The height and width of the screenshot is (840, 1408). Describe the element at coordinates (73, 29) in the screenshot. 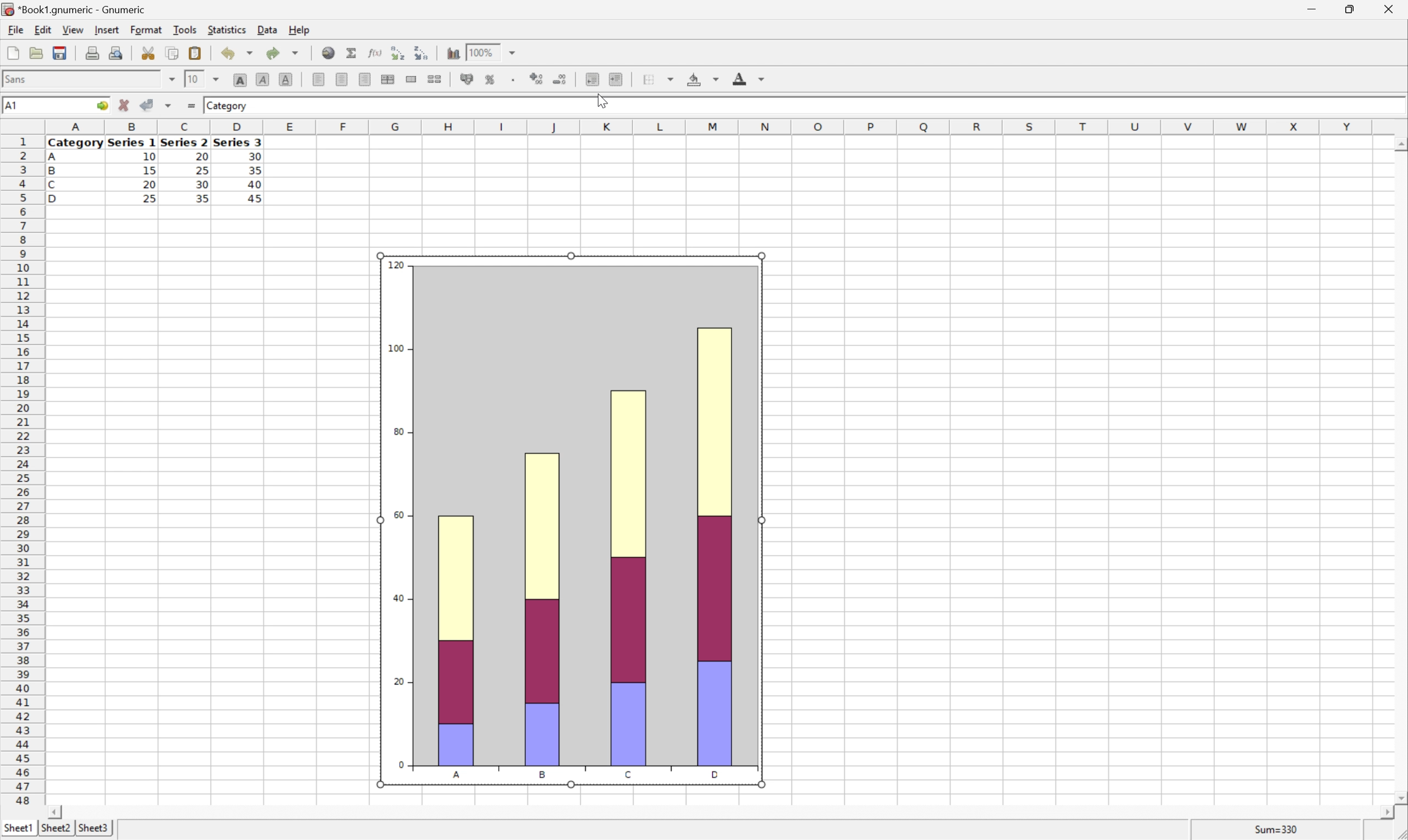

I see `View` at that location.